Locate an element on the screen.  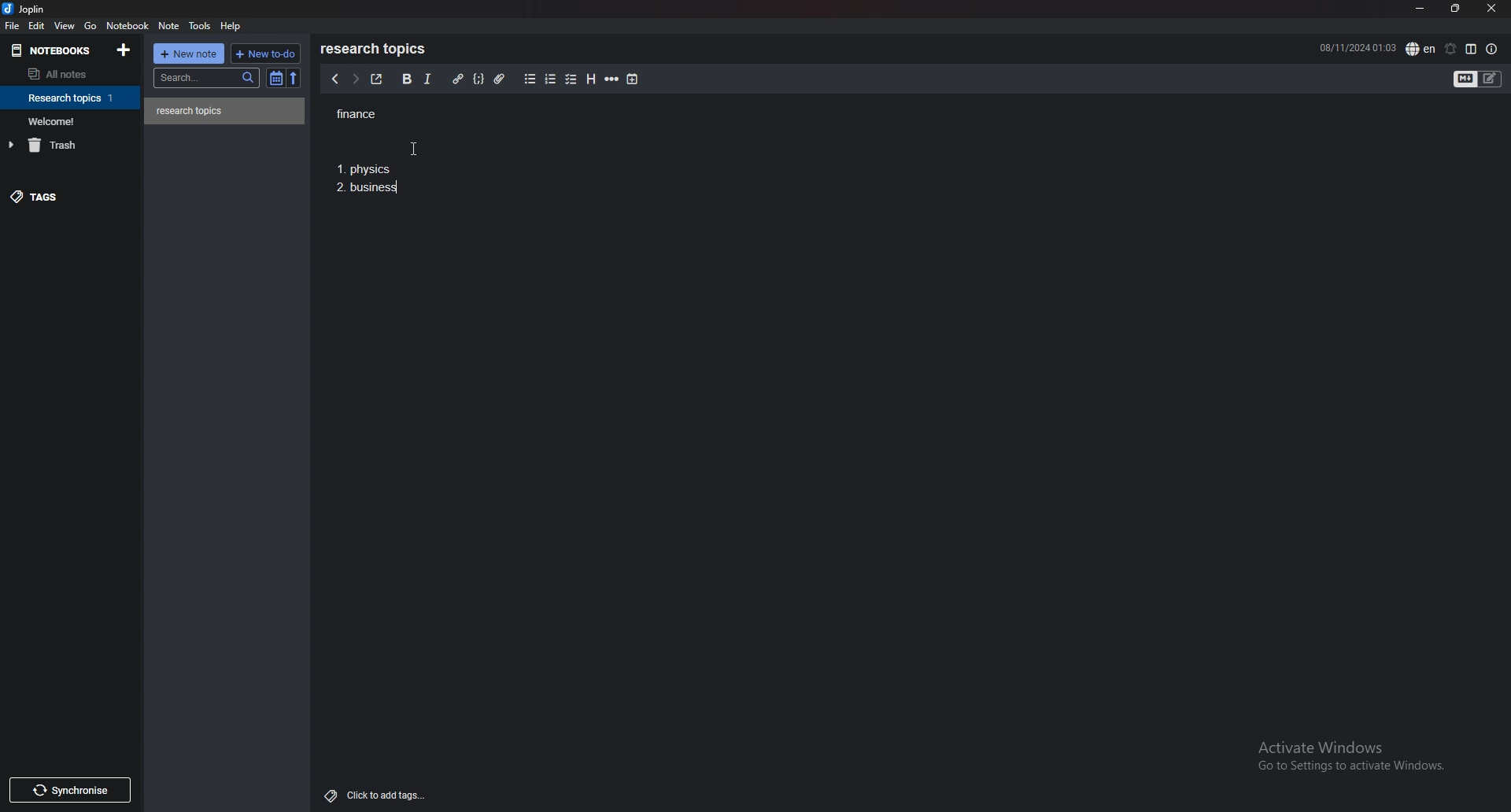
file is located at coordinates (13, 26).